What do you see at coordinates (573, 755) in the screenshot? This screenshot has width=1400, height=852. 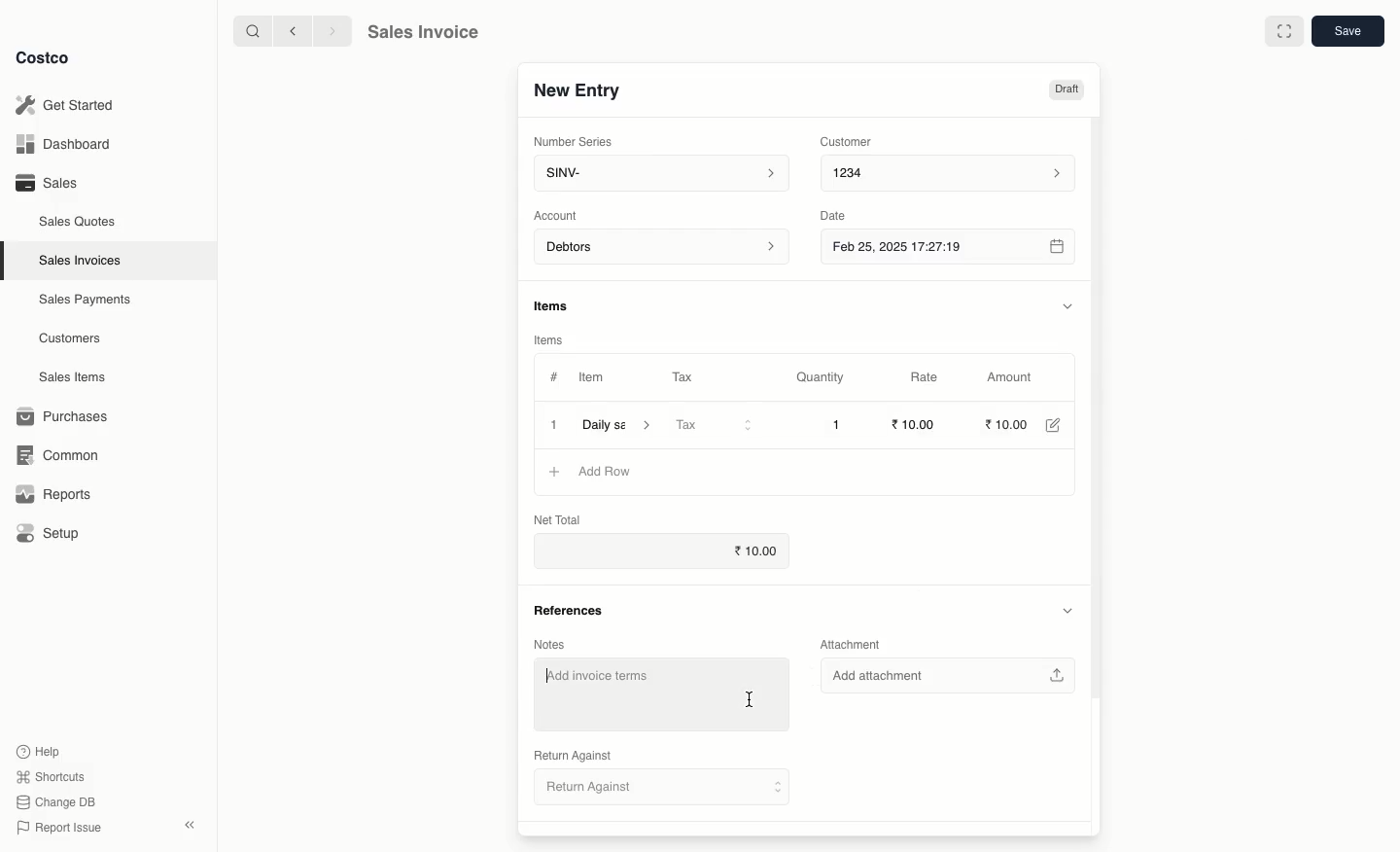 I see `Return Against` at bounding box center [573, 755].